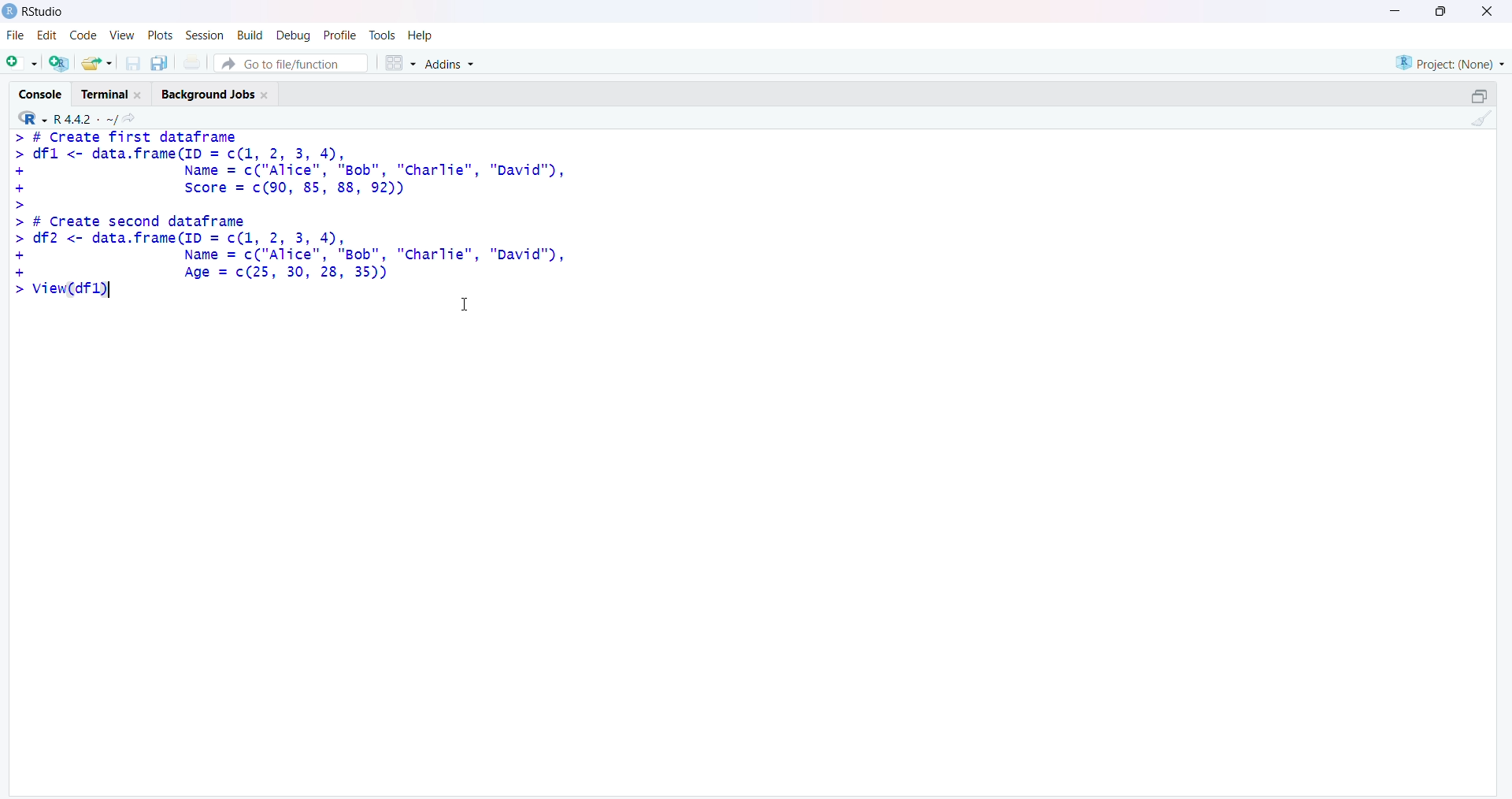 The width and height of the screenshot is (1512, 799). What do you see at coordinates (134, 63) in the screenshot?
I see `save` at bounding box center [134, 63].